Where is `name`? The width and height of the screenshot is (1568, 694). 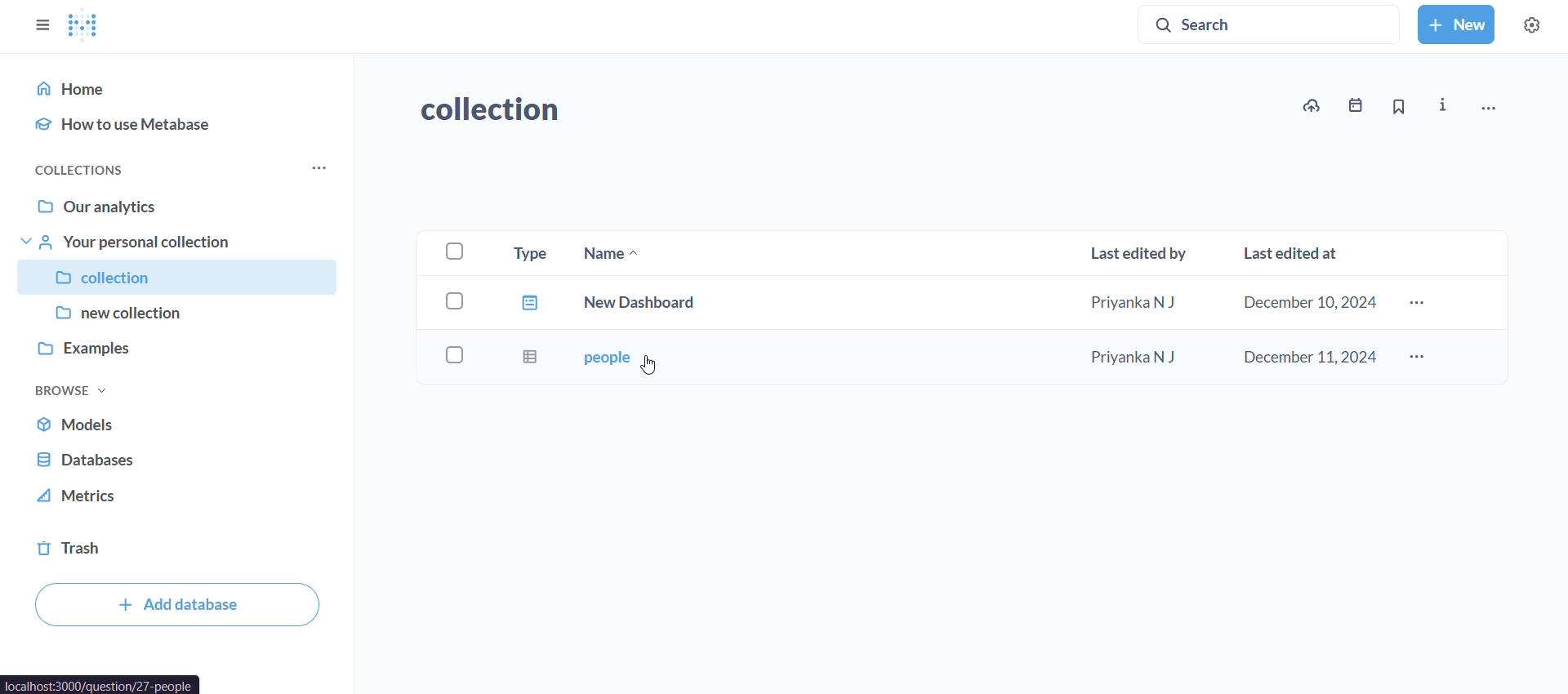 name is located at coordinates (620, 256).